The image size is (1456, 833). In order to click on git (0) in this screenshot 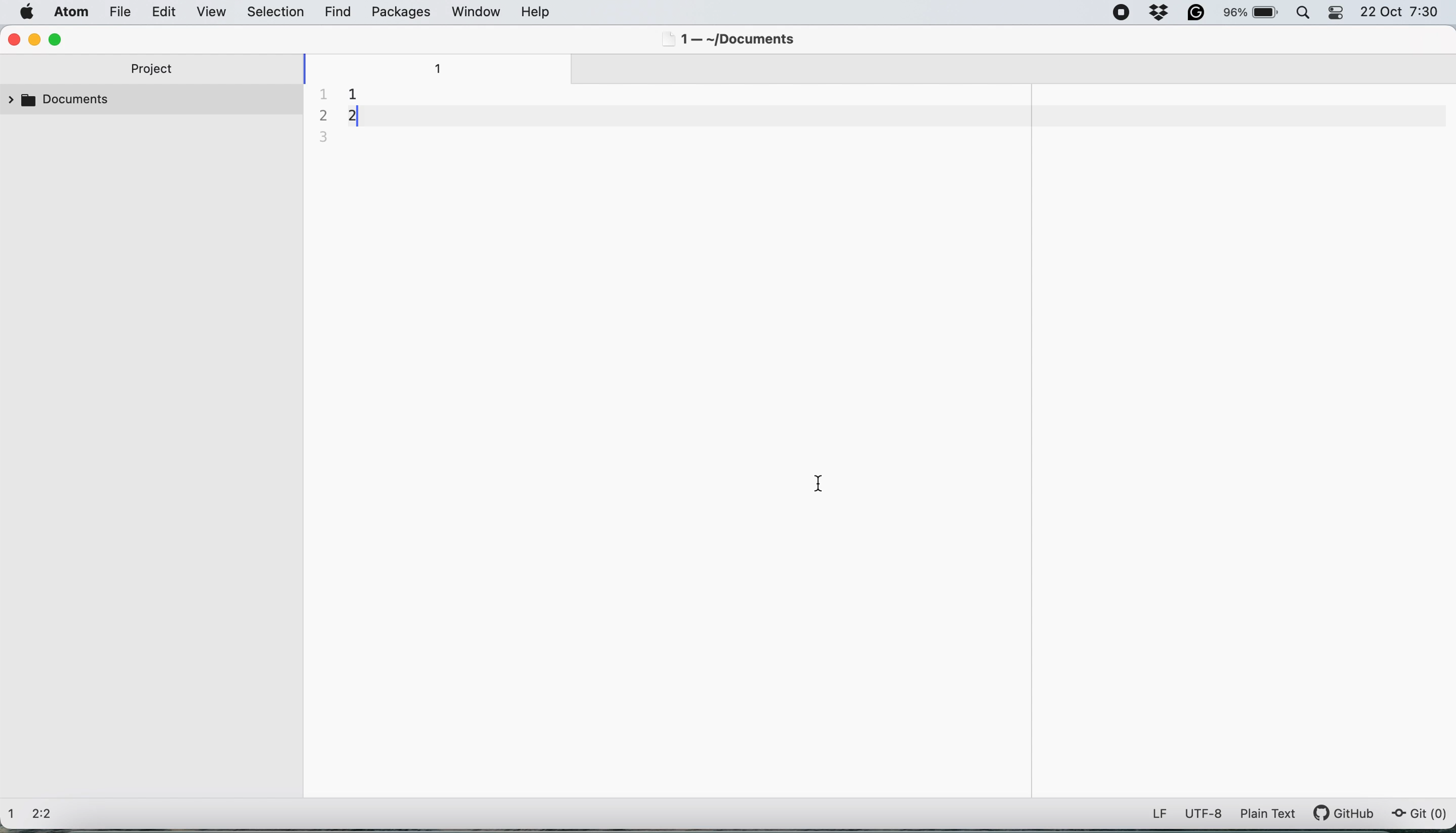, I will do `click(1418, 814)`.